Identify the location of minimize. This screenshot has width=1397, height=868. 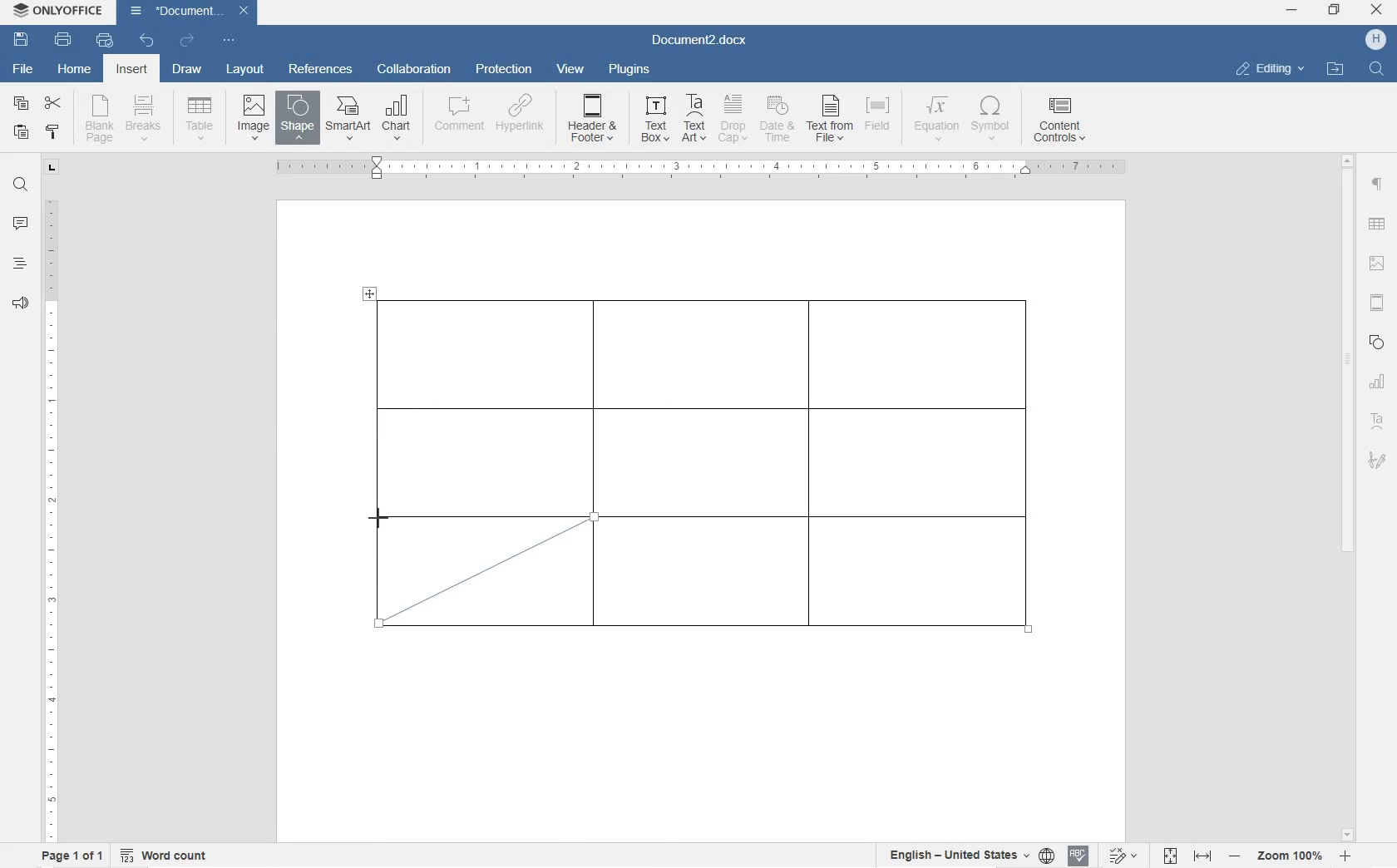
(1291, 10).